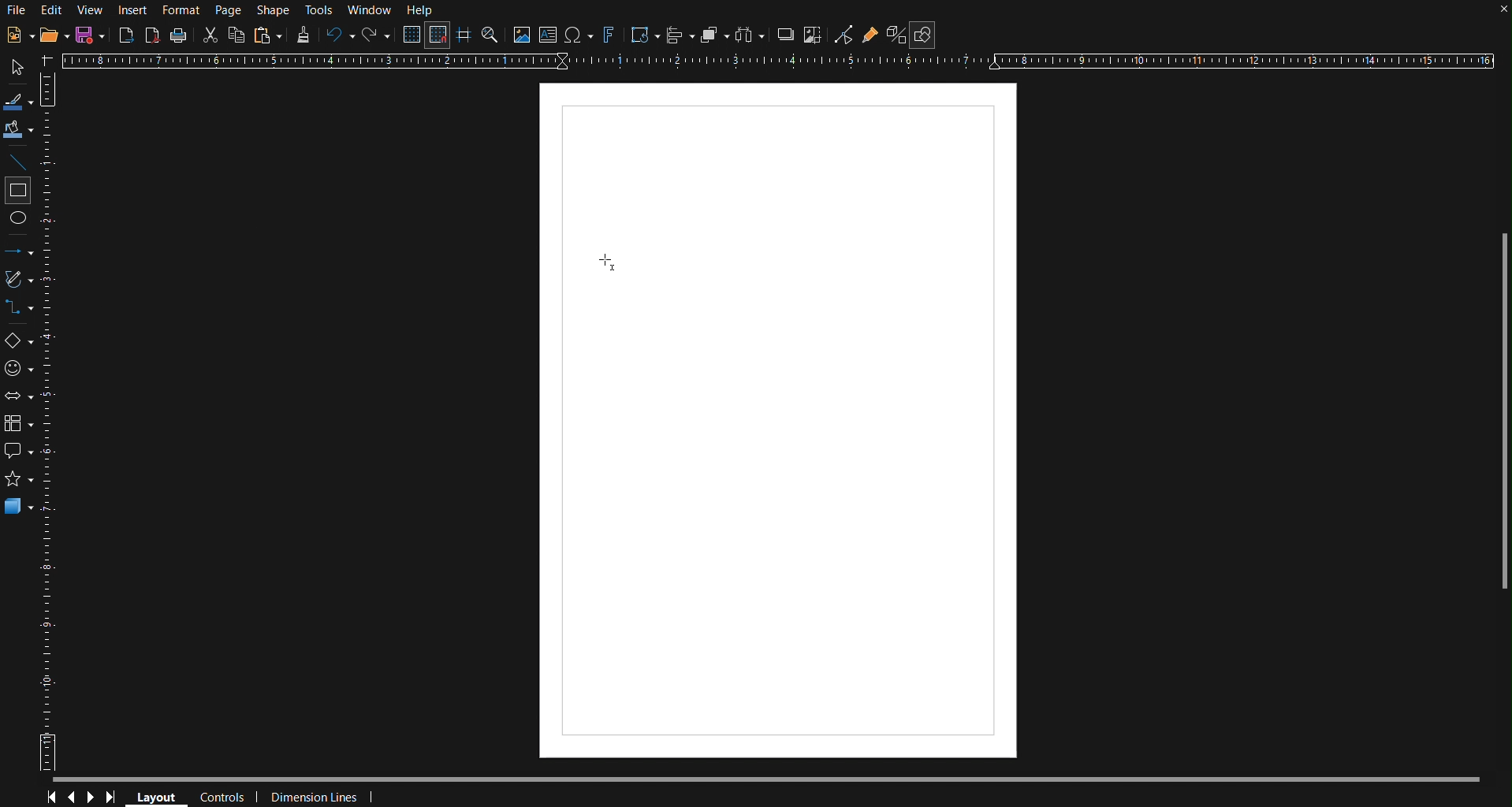  What do you see at coordinates (91, 35) in the screenshot?
I see `Save` at bounding box center [91, 35].